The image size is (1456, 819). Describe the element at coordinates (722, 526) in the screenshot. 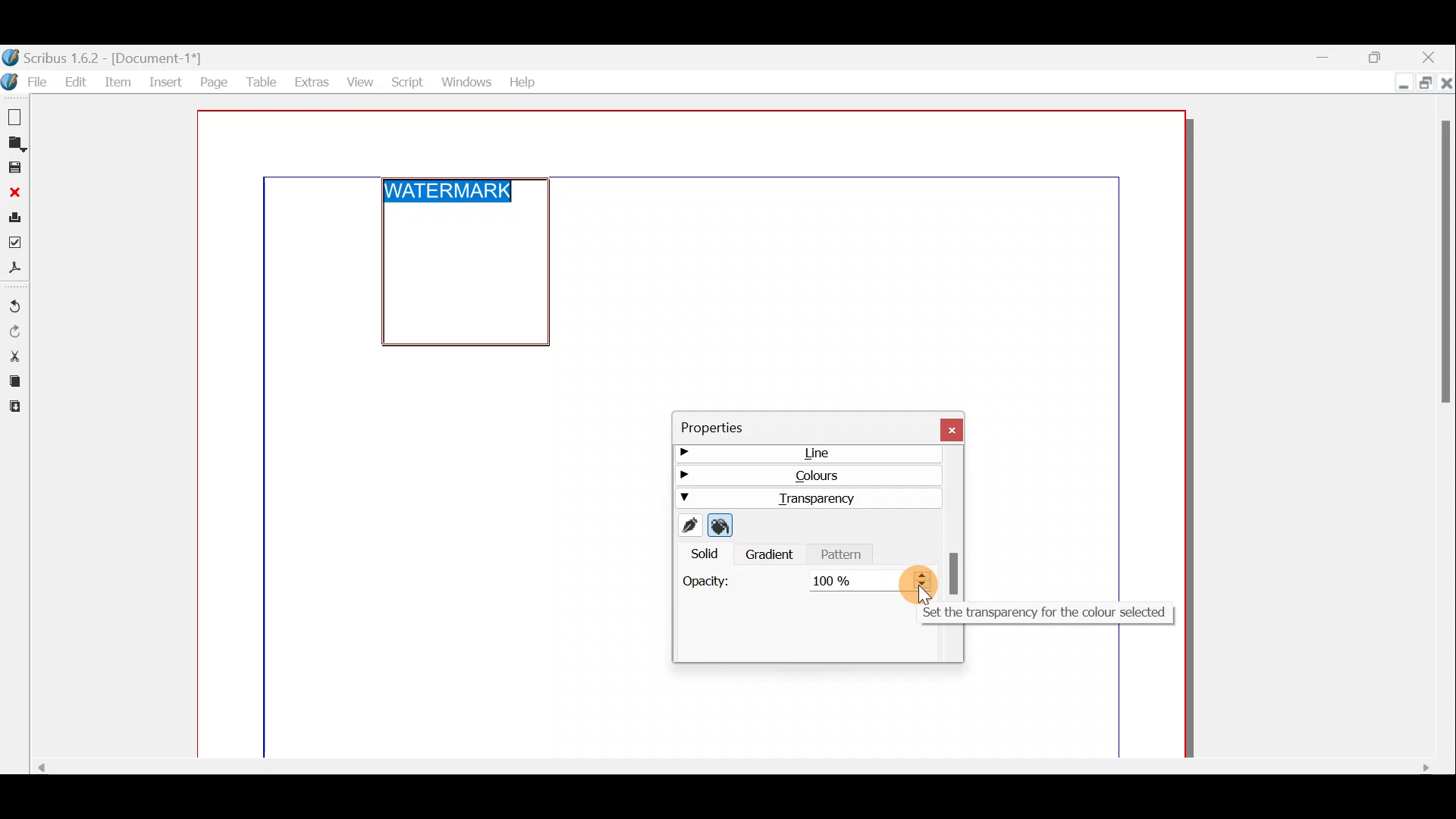

I see `Edit fill colour properties` at that location.